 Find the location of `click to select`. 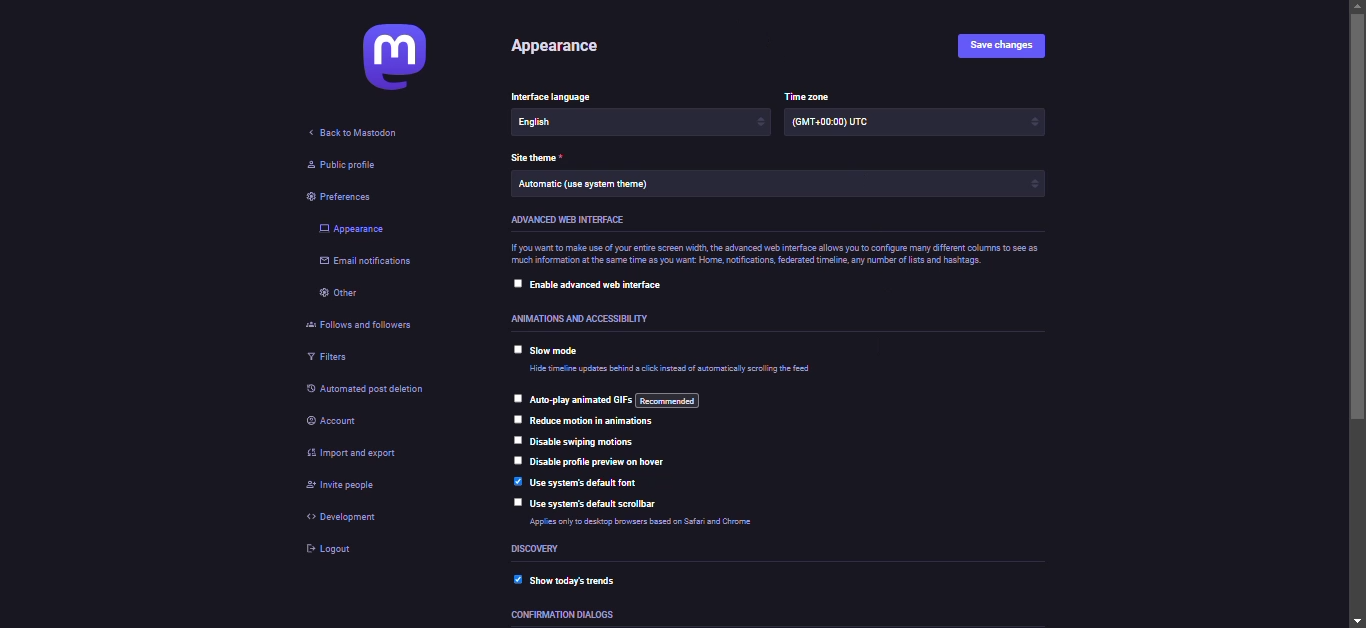

click to select is located at coordinates (516, 460).